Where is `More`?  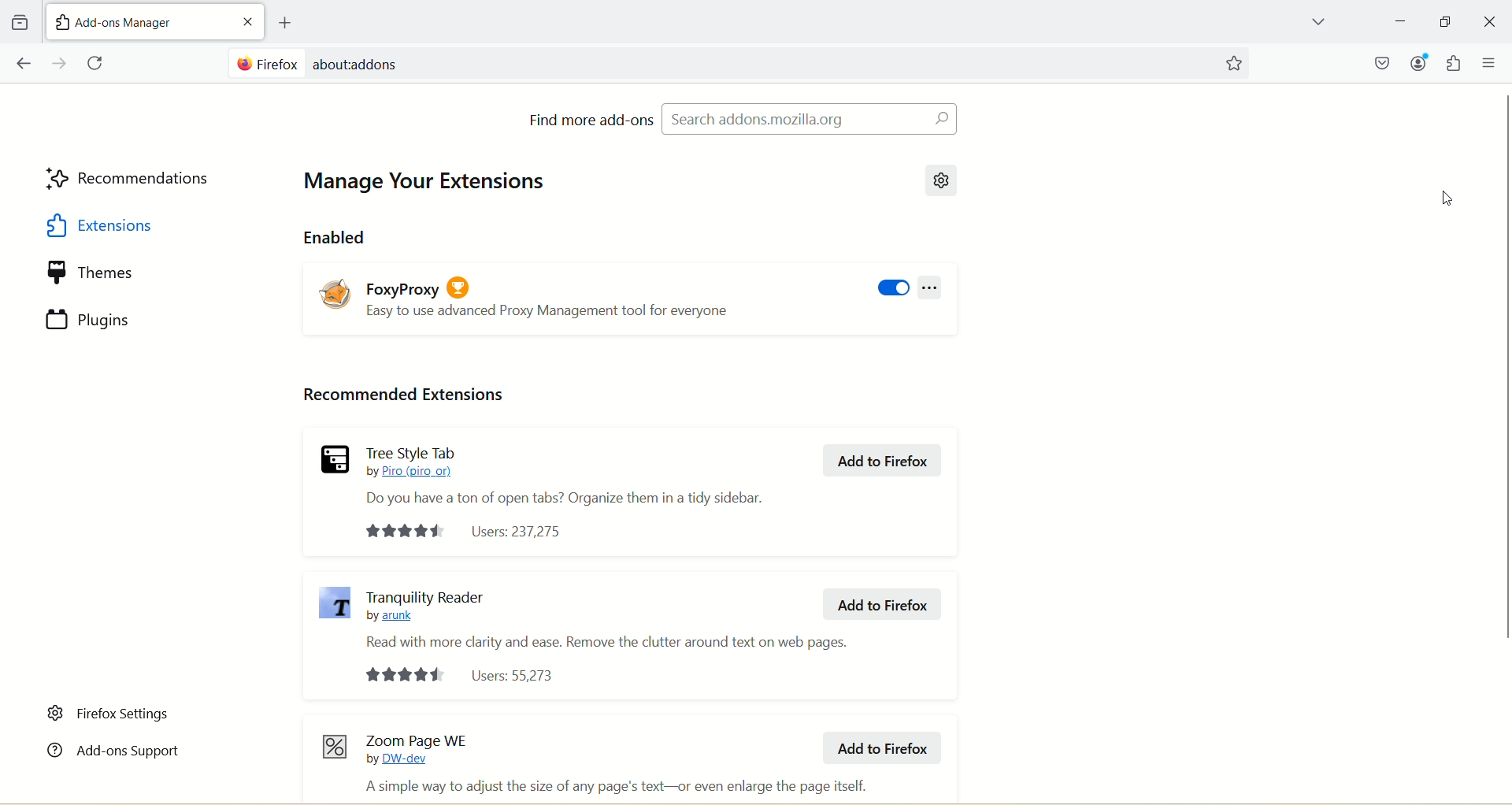
More is located at coordinates (930, 287).